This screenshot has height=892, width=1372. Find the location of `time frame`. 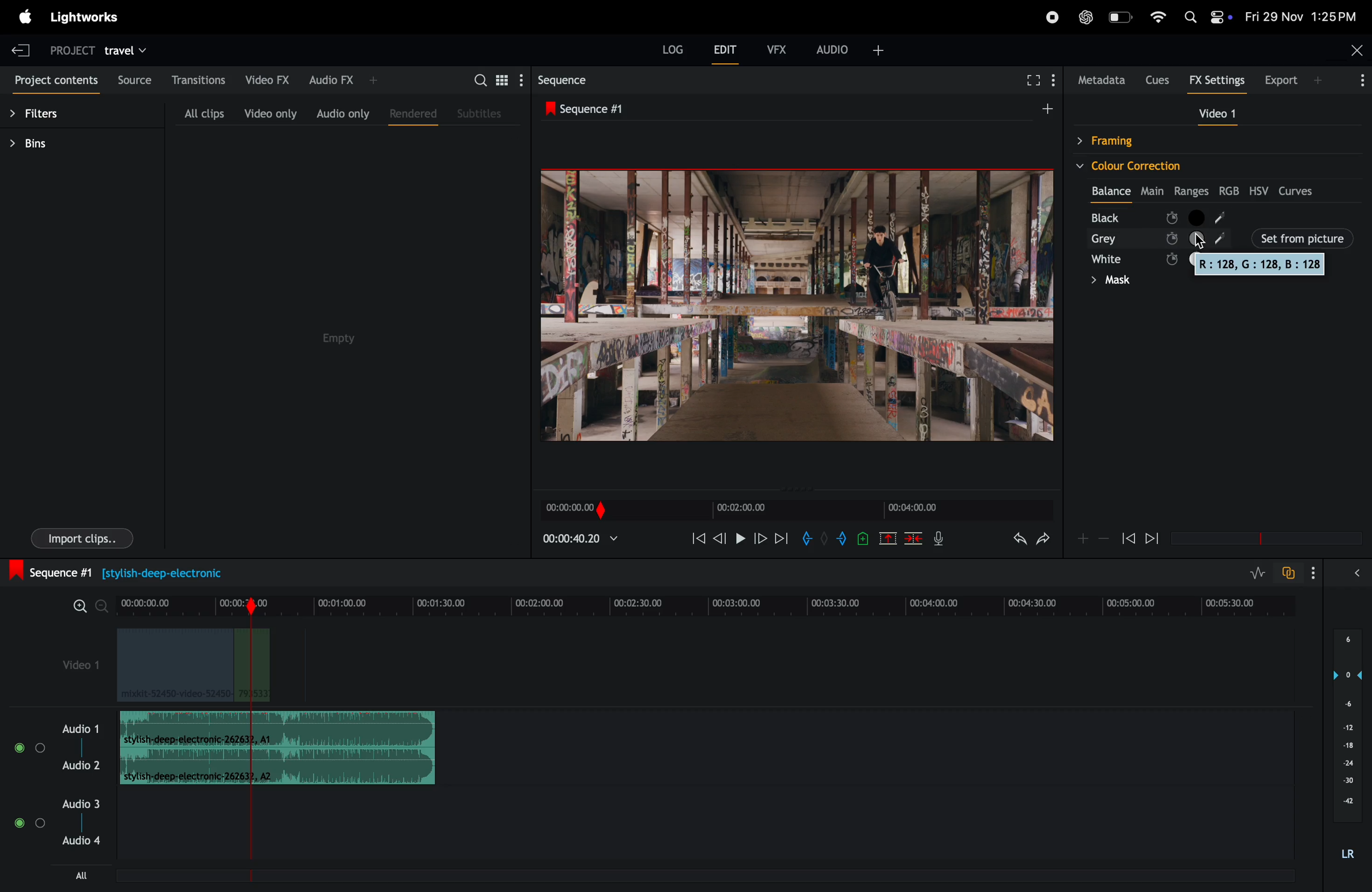

time frame is located at coordinates (794, 511).